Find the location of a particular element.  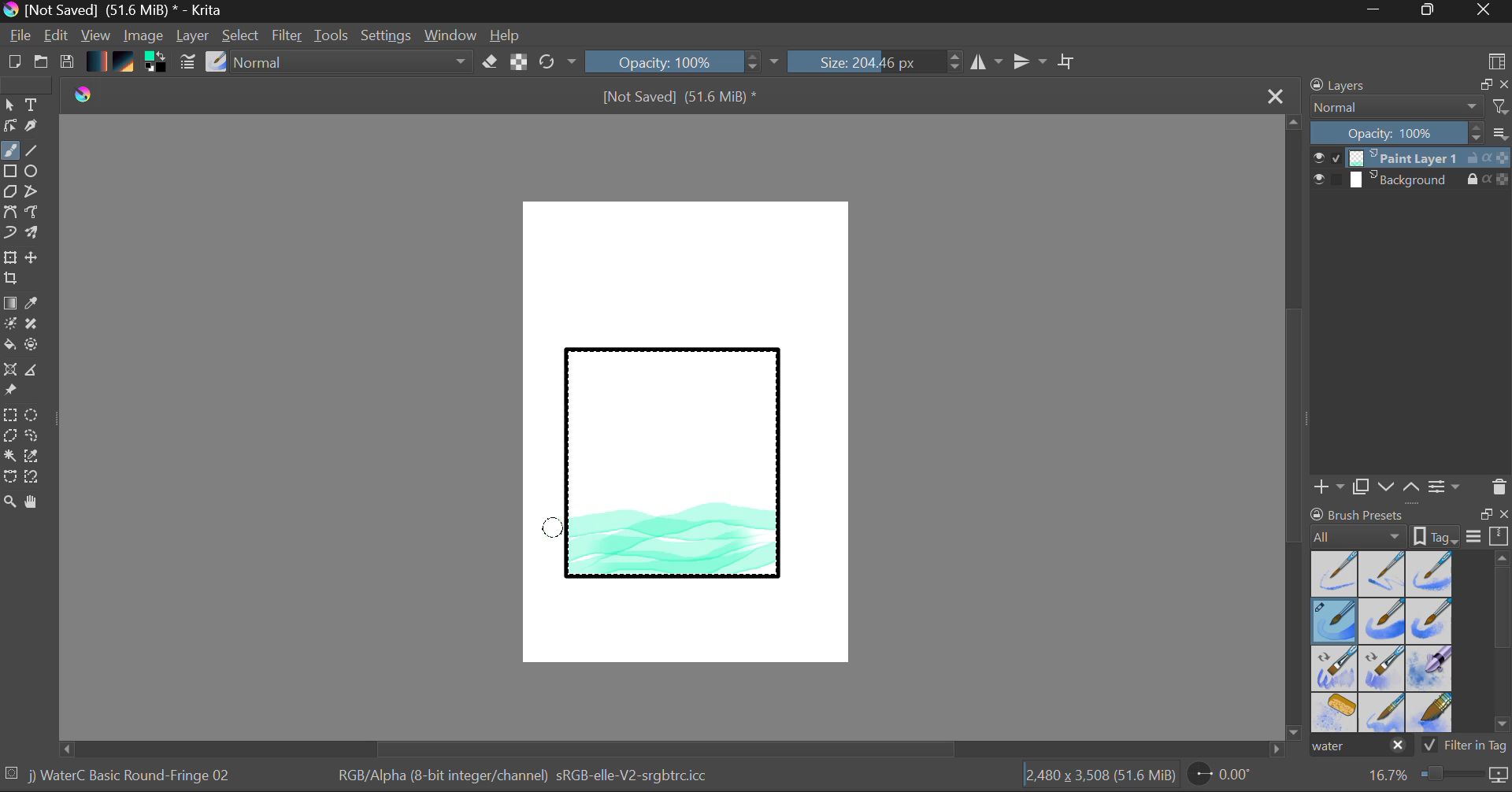

Water C - Dry is located at coordinates (1336, 572).